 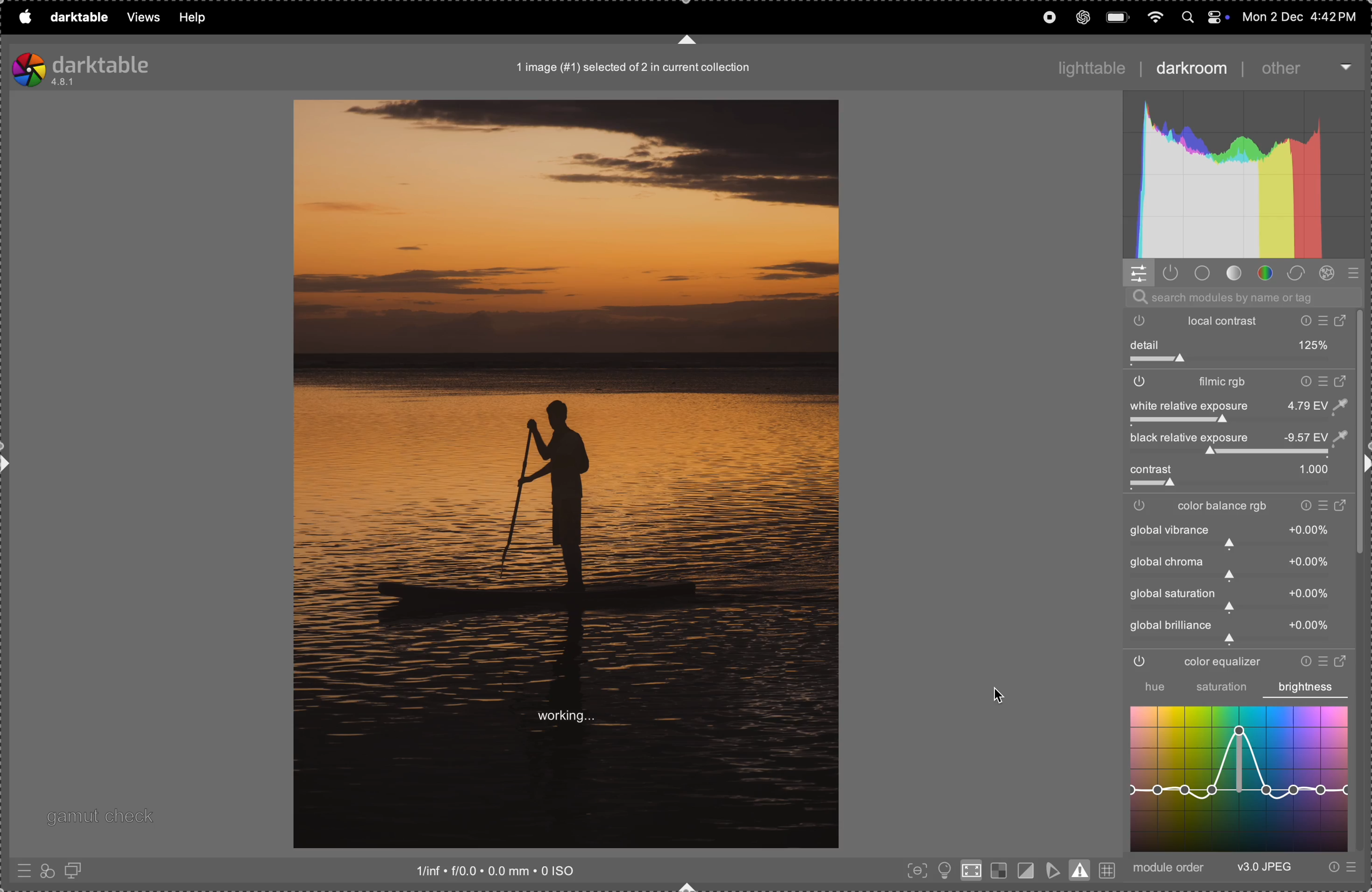 I want to click on toggle iso, so click(x=943, y=870).